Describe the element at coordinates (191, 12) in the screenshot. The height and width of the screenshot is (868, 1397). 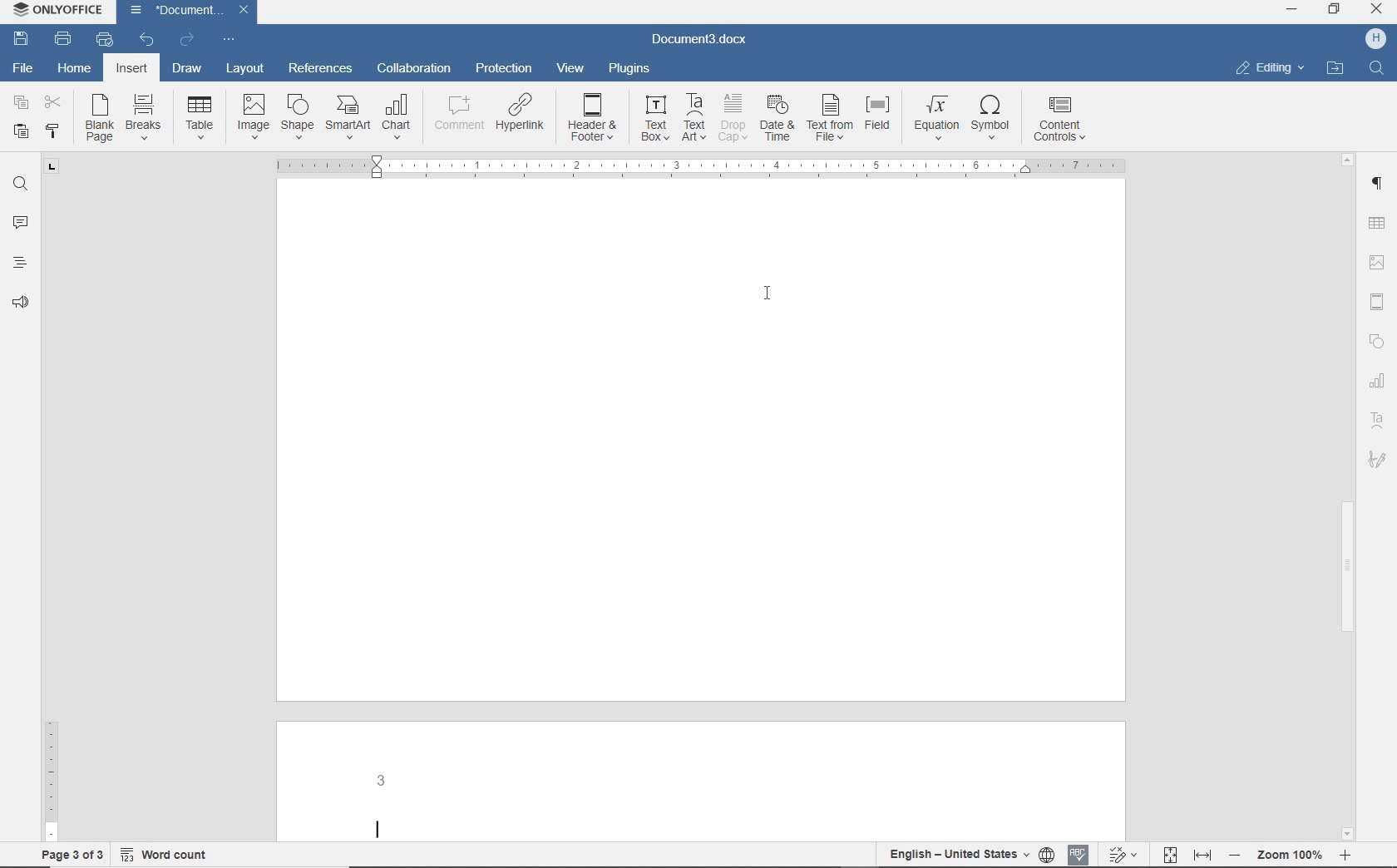
I see `DOCUMENT` at that location.